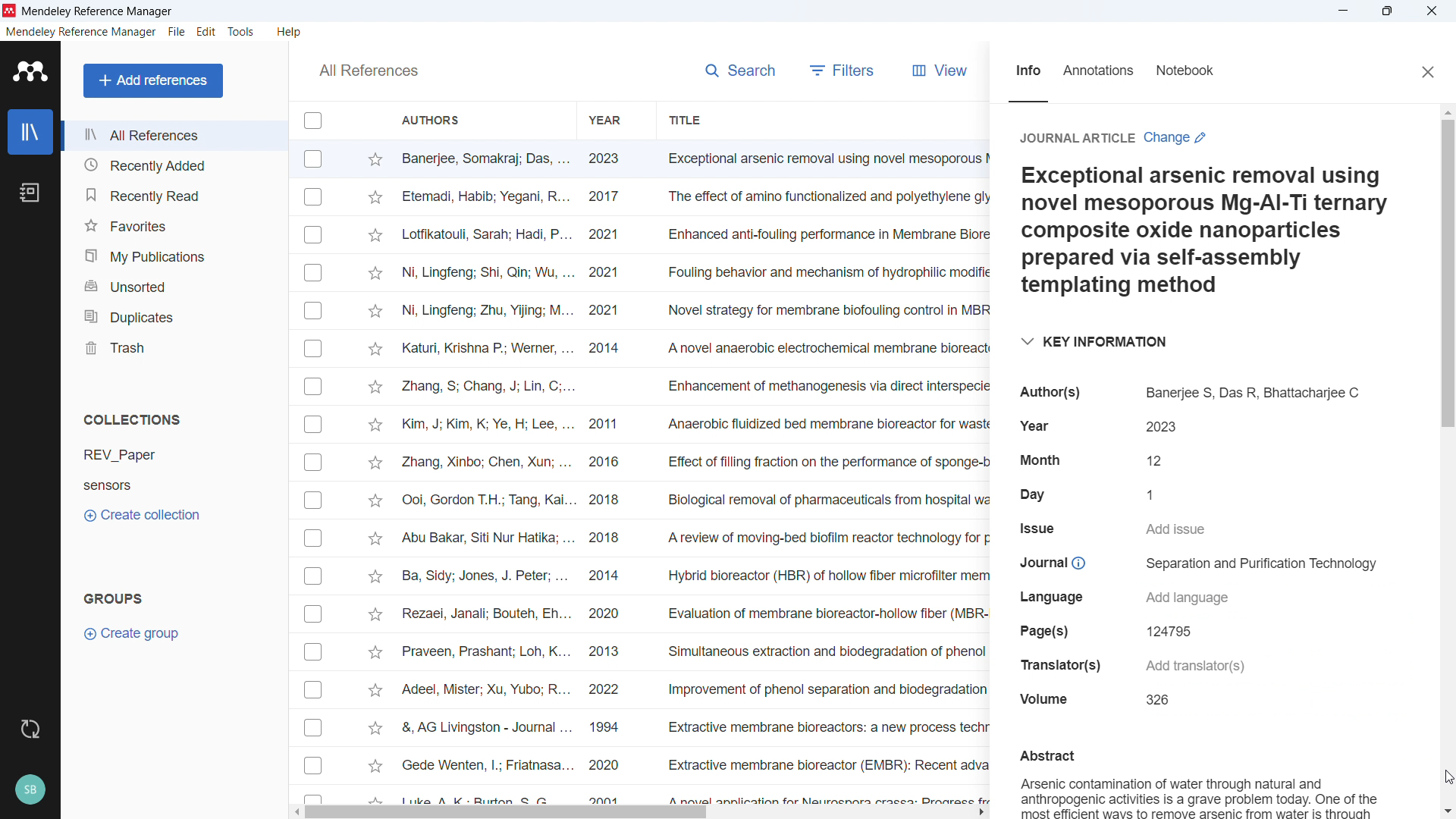 The image size is (1456, 819). I want to click on View , so click(944, 73).